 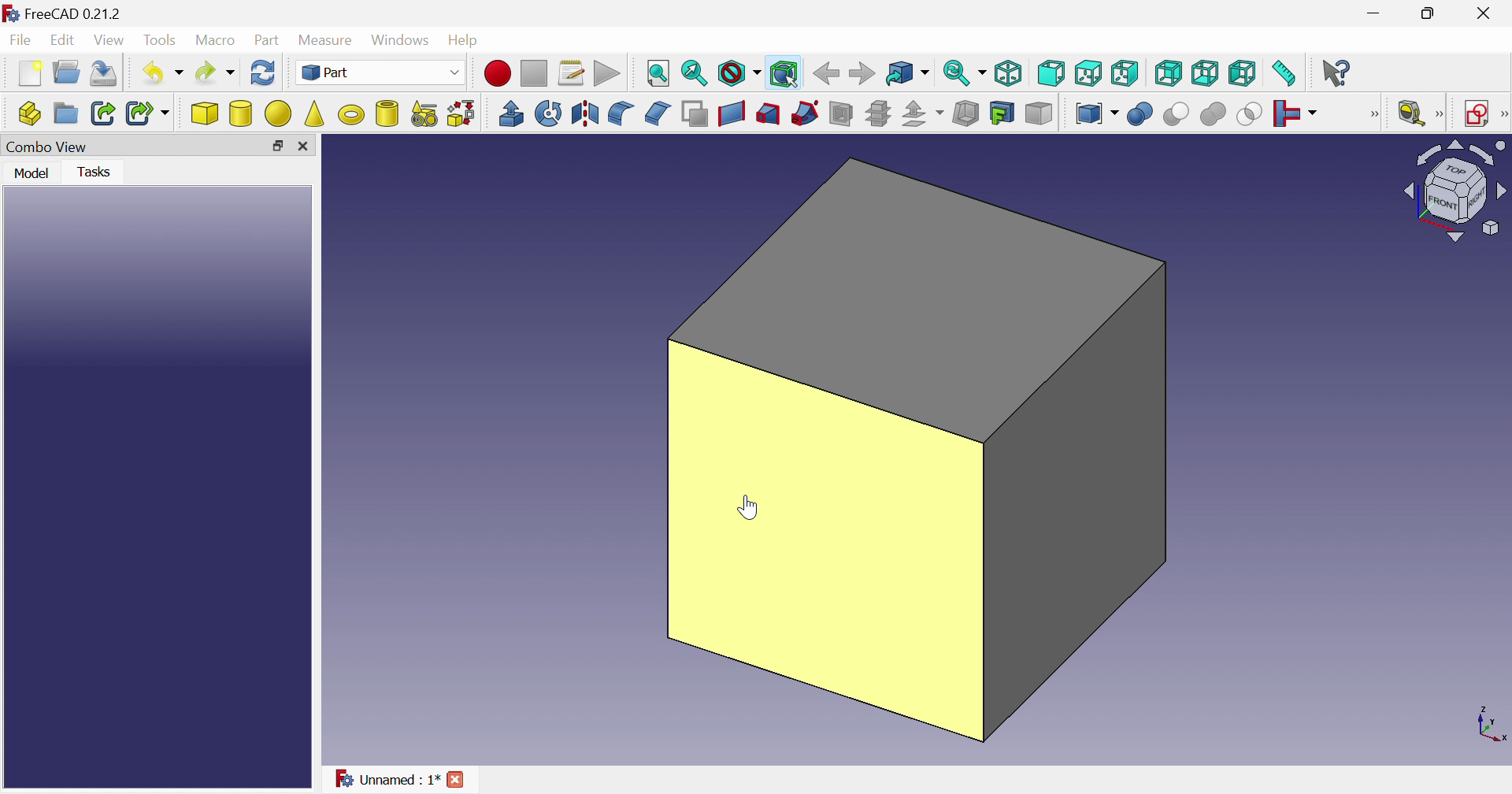 I want to click on Fit all, so click(x=656, y=74).